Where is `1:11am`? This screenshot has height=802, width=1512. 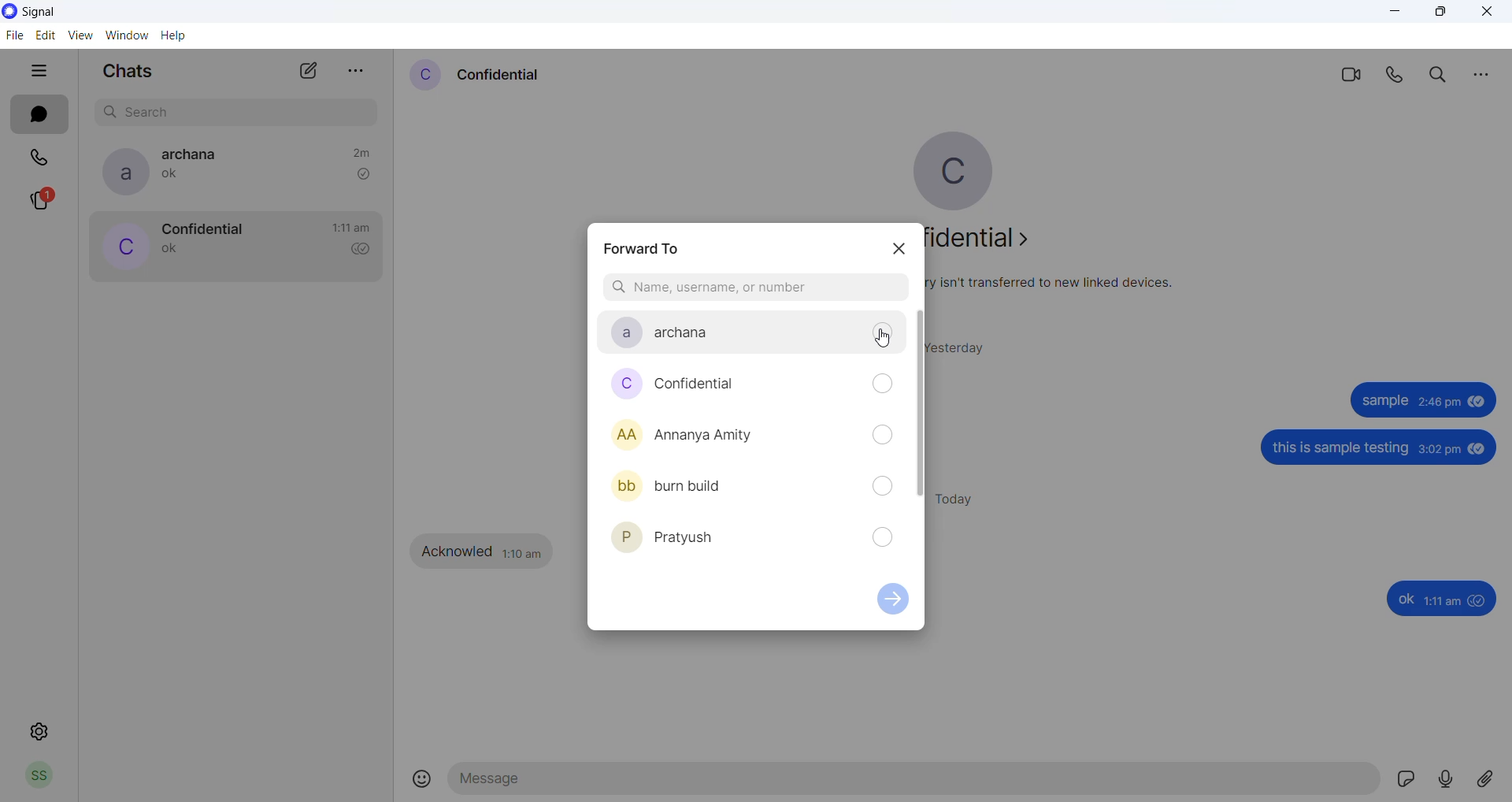 1:11am is located at coordinates (1444, 601).